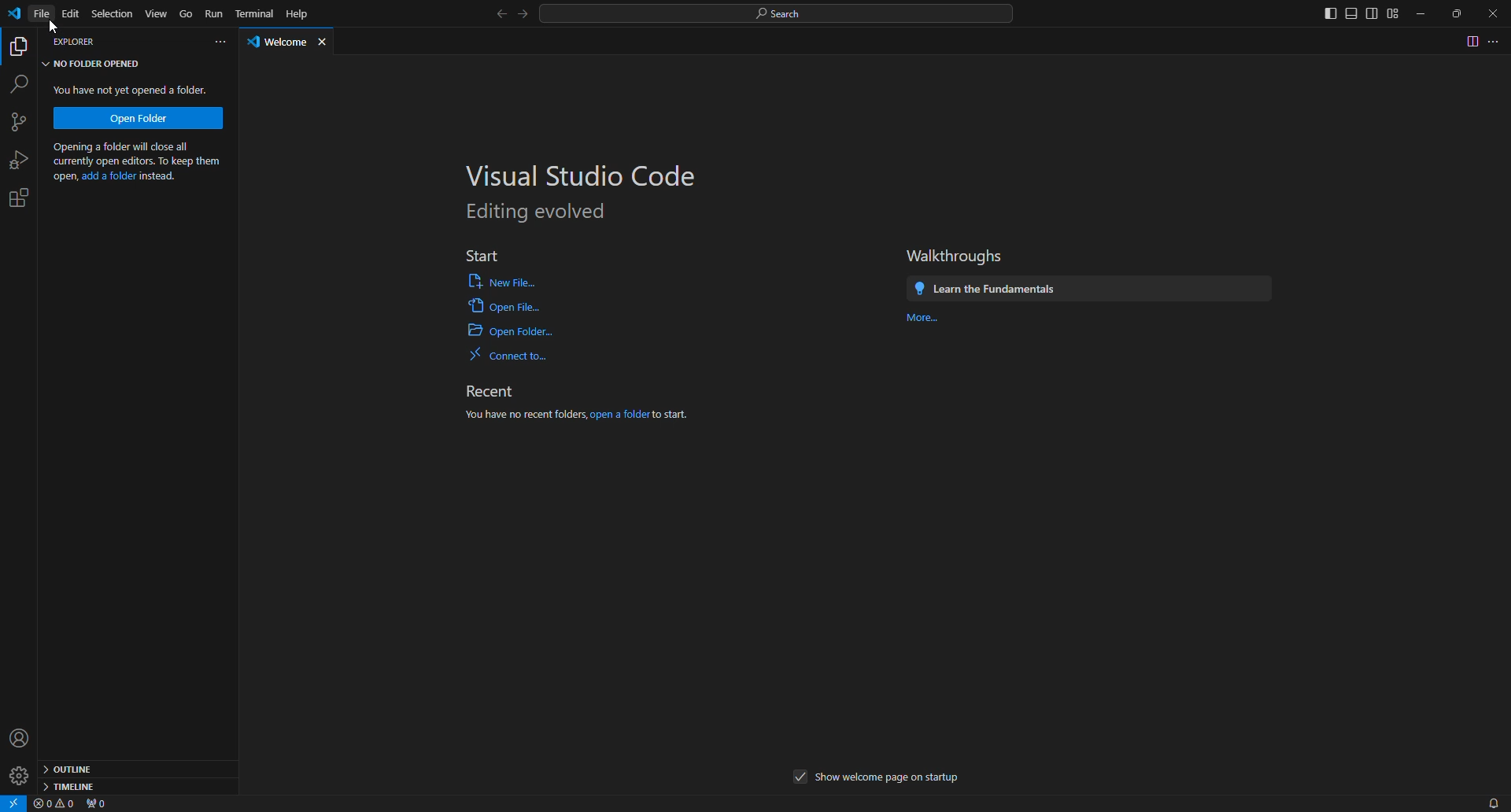 Image resolution: width=1511 pixels, height=812 pixels. Describe the element at coordinates (94, 64) in the screenshot. I see `no folder opened` at that location.